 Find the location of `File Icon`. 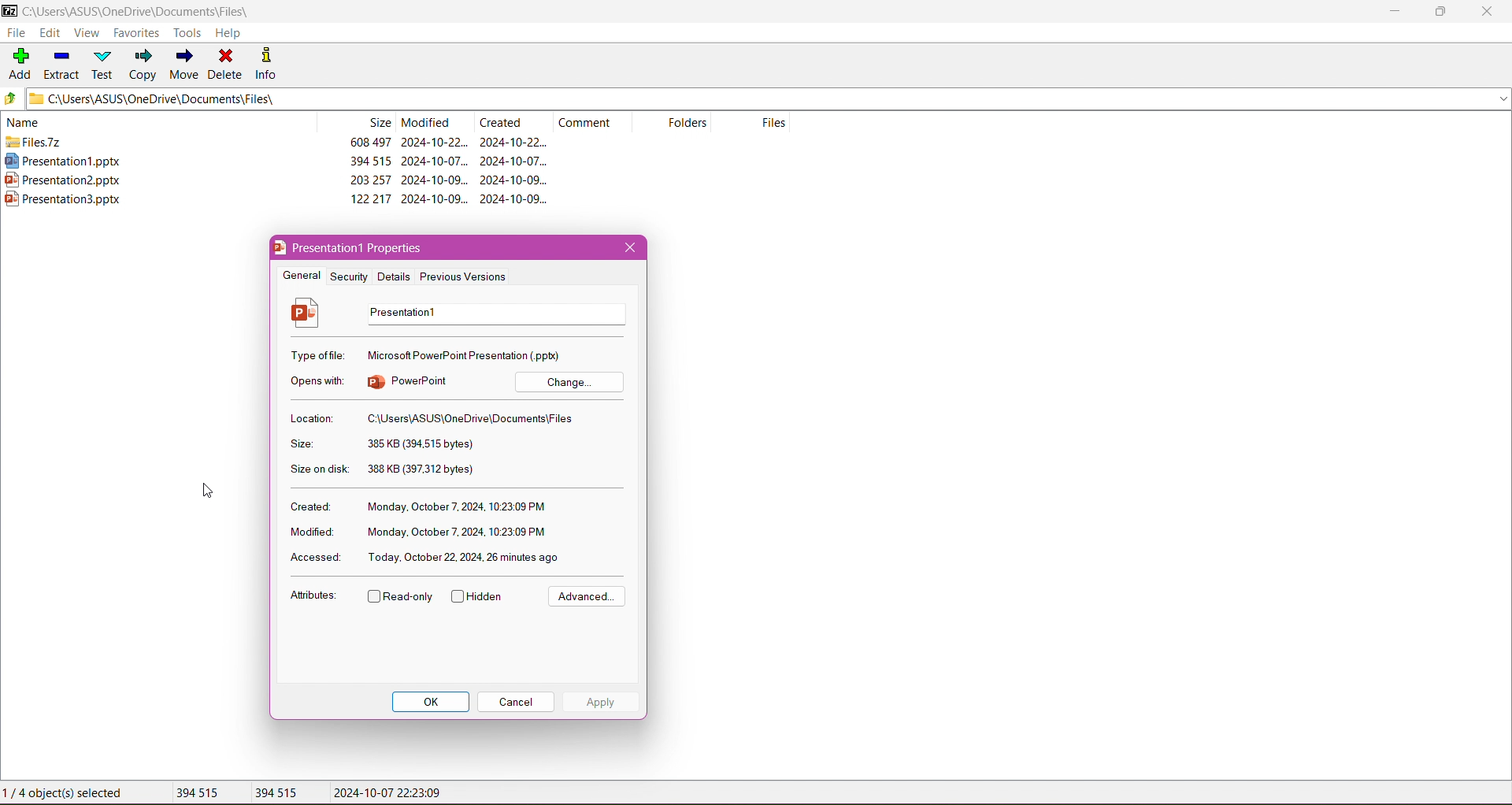

File Icon is located at coordinates (307, 313).